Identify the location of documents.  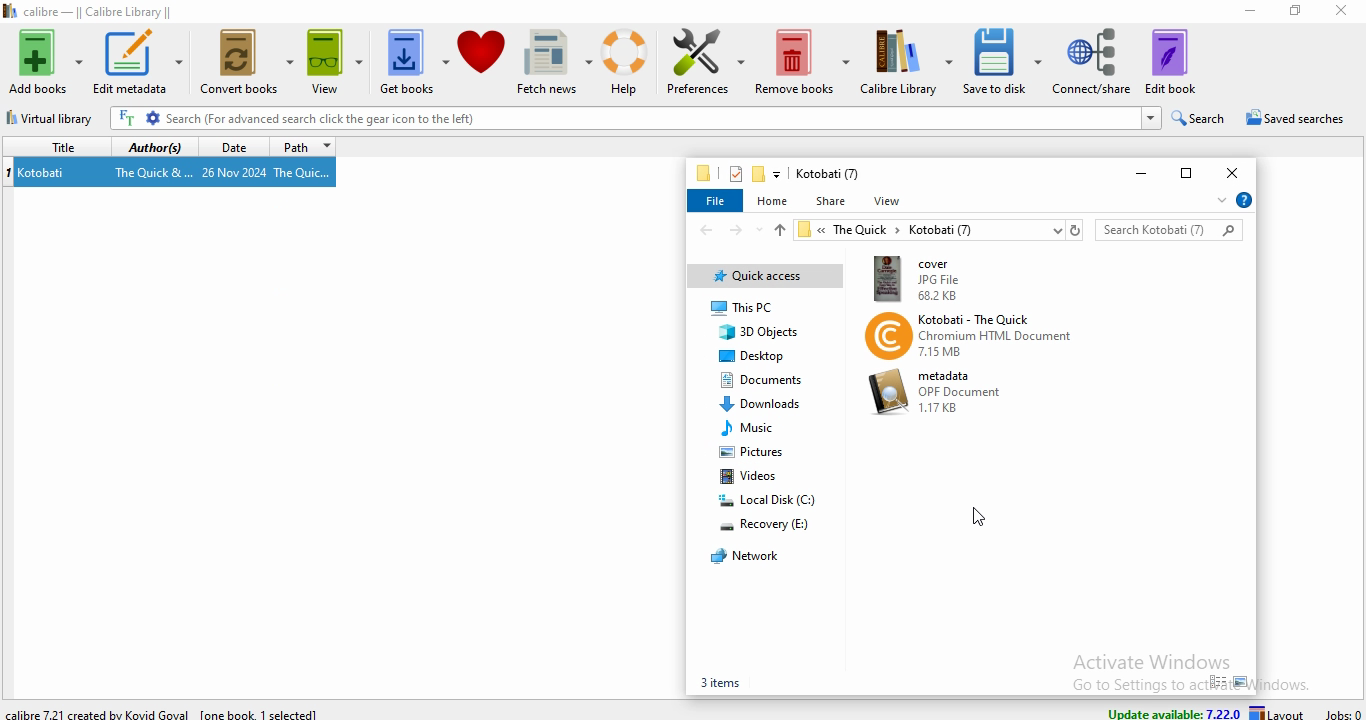
(759, 381).